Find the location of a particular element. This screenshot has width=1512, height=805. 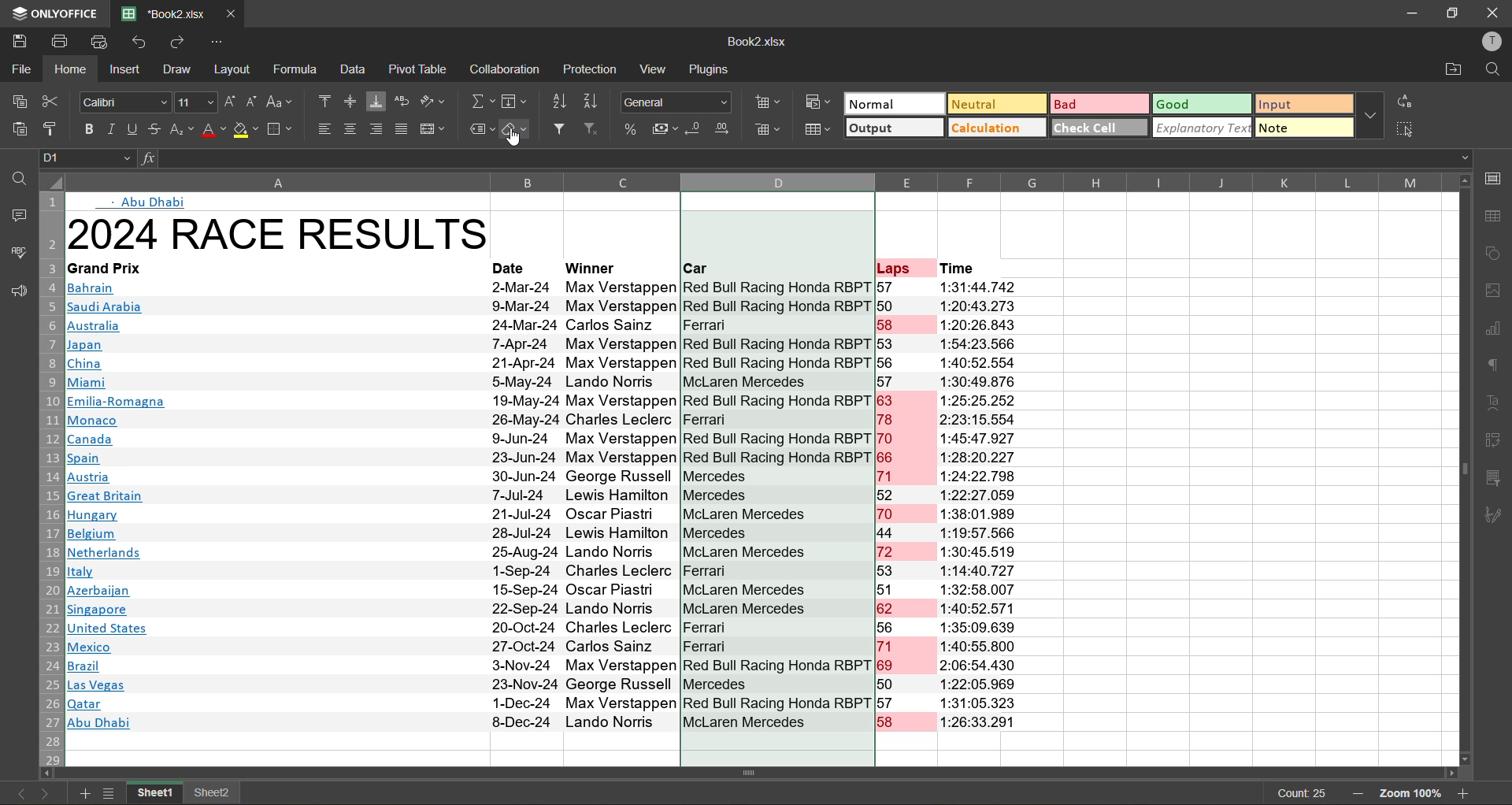

conditional formatting is located at coordinates (819, 102).